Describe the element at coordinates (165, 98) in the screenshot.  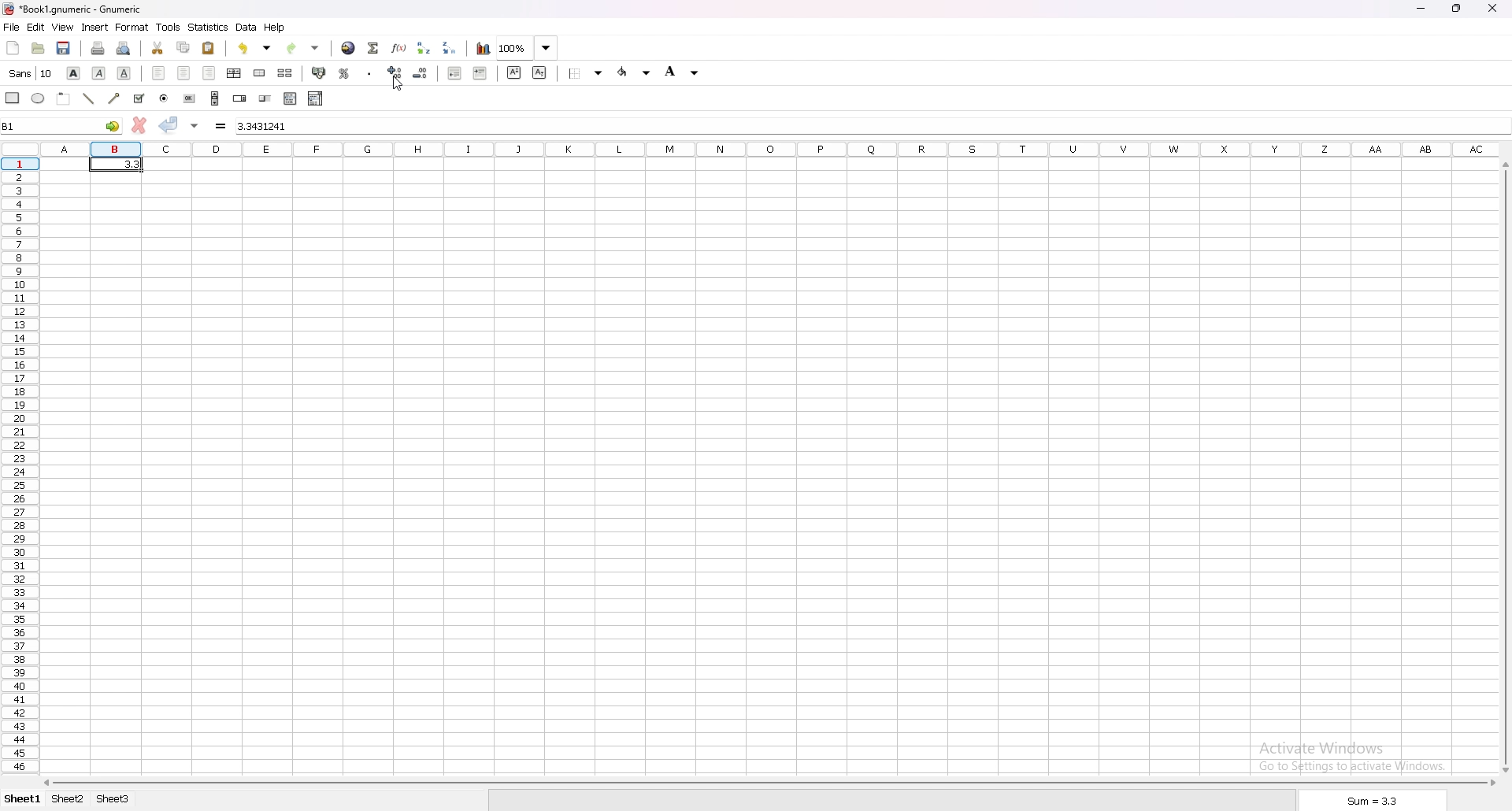
I see `radio button` at that location.